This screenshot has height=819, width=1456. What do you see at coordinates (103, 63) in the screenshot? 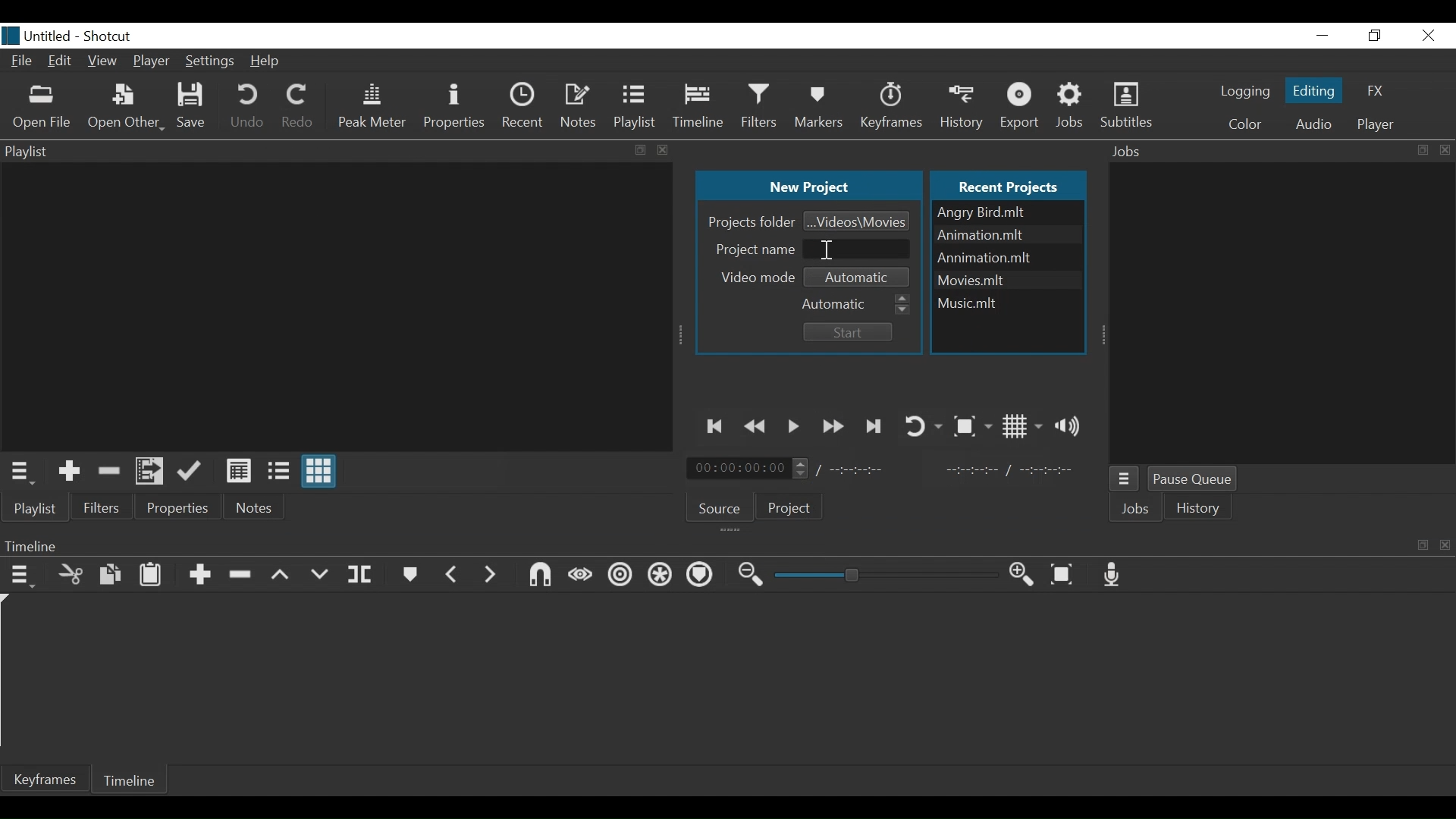
I see `View` at bounding box center [103, 63].